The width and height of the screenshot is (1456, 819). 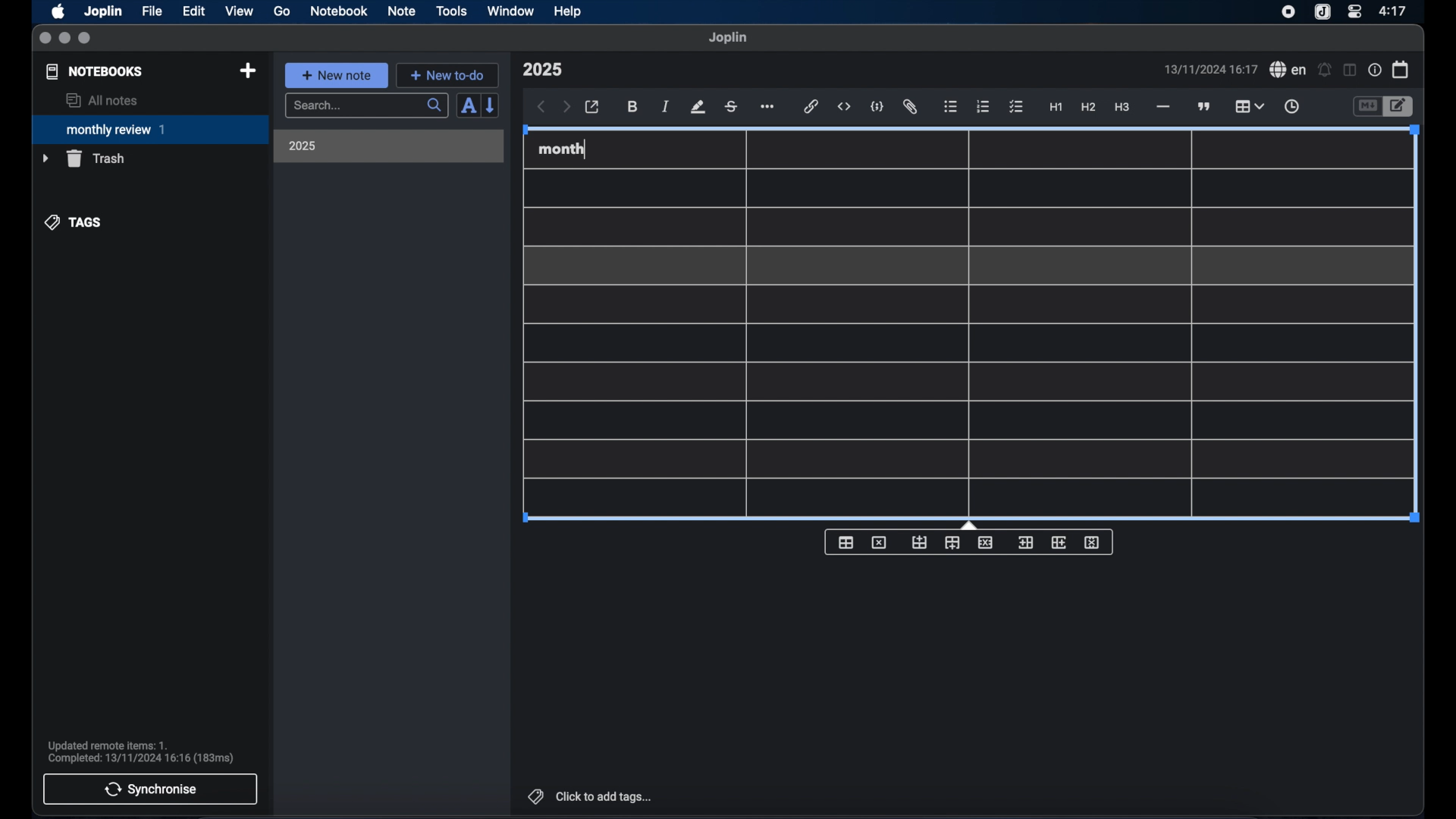 What do you see at coordinates (1056, 108) in the screenshot?
I see `heading 1` at bounding box center [1056, 108].